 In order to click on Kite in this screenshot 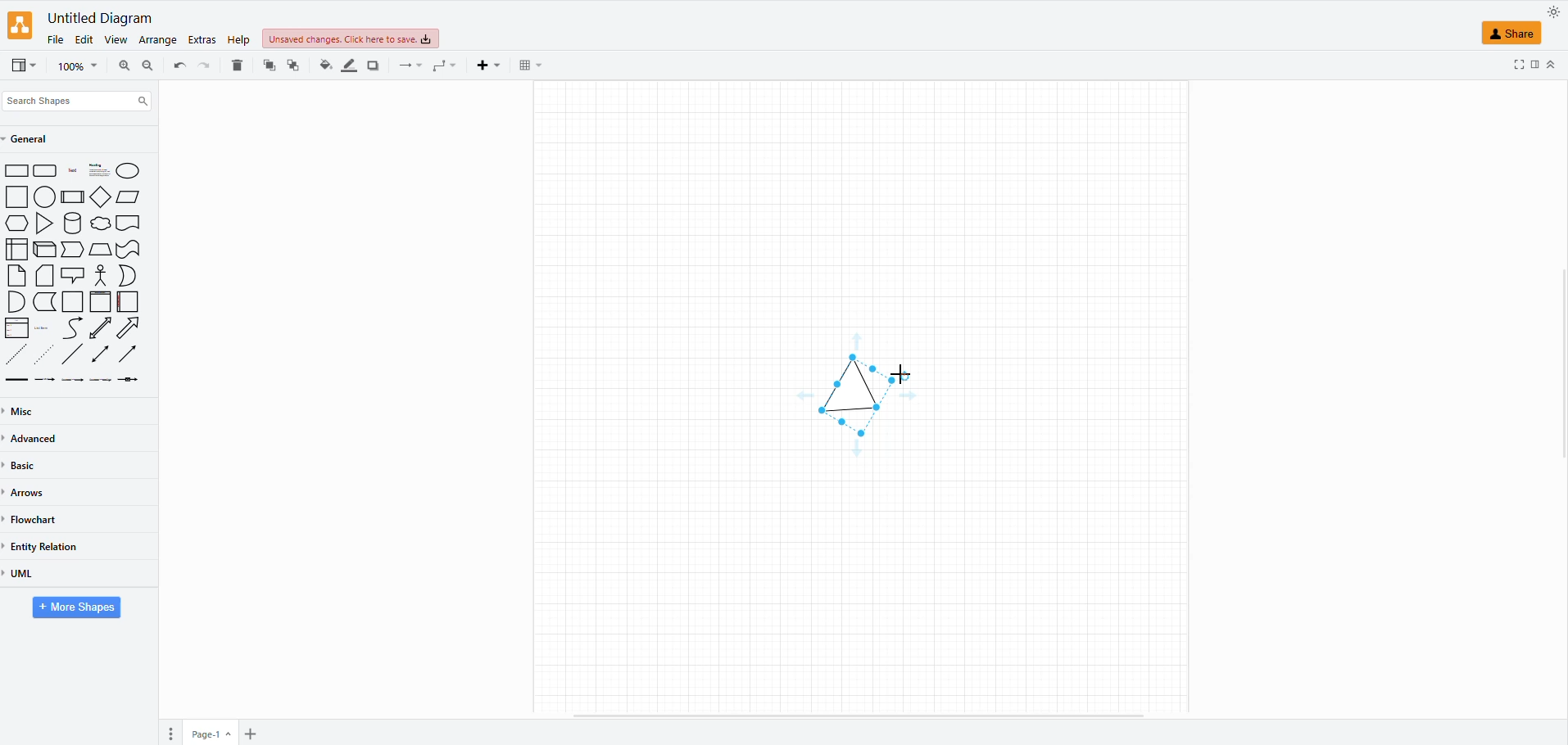, I will do `click(102, 196)`.